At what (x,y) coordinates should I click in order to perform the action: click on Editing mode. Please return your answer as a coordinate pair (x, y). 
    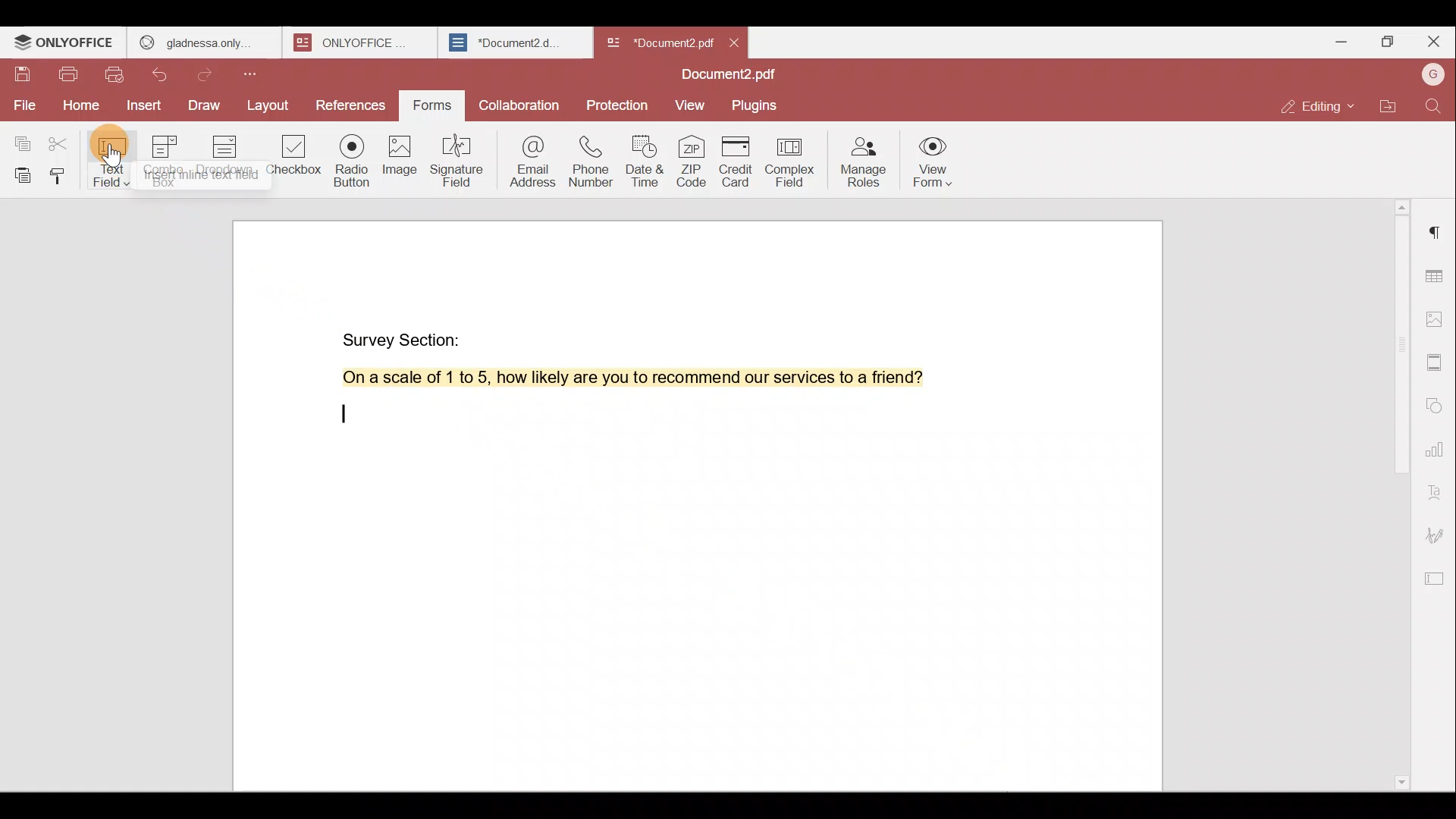
    Looking at the image, I should click on (1320, 106).